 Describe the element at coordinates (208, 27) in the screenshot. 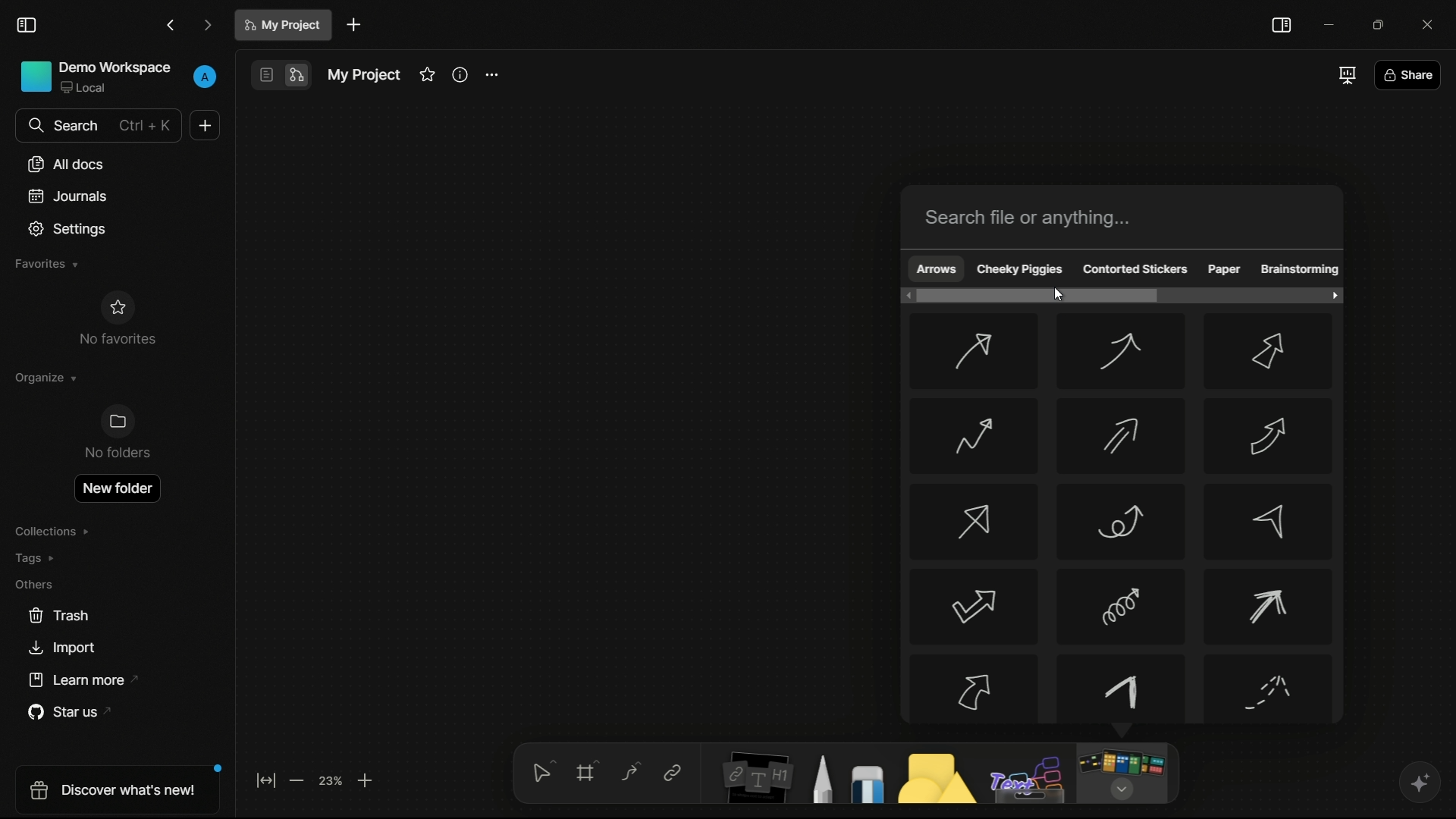

I see `forward` at that location.